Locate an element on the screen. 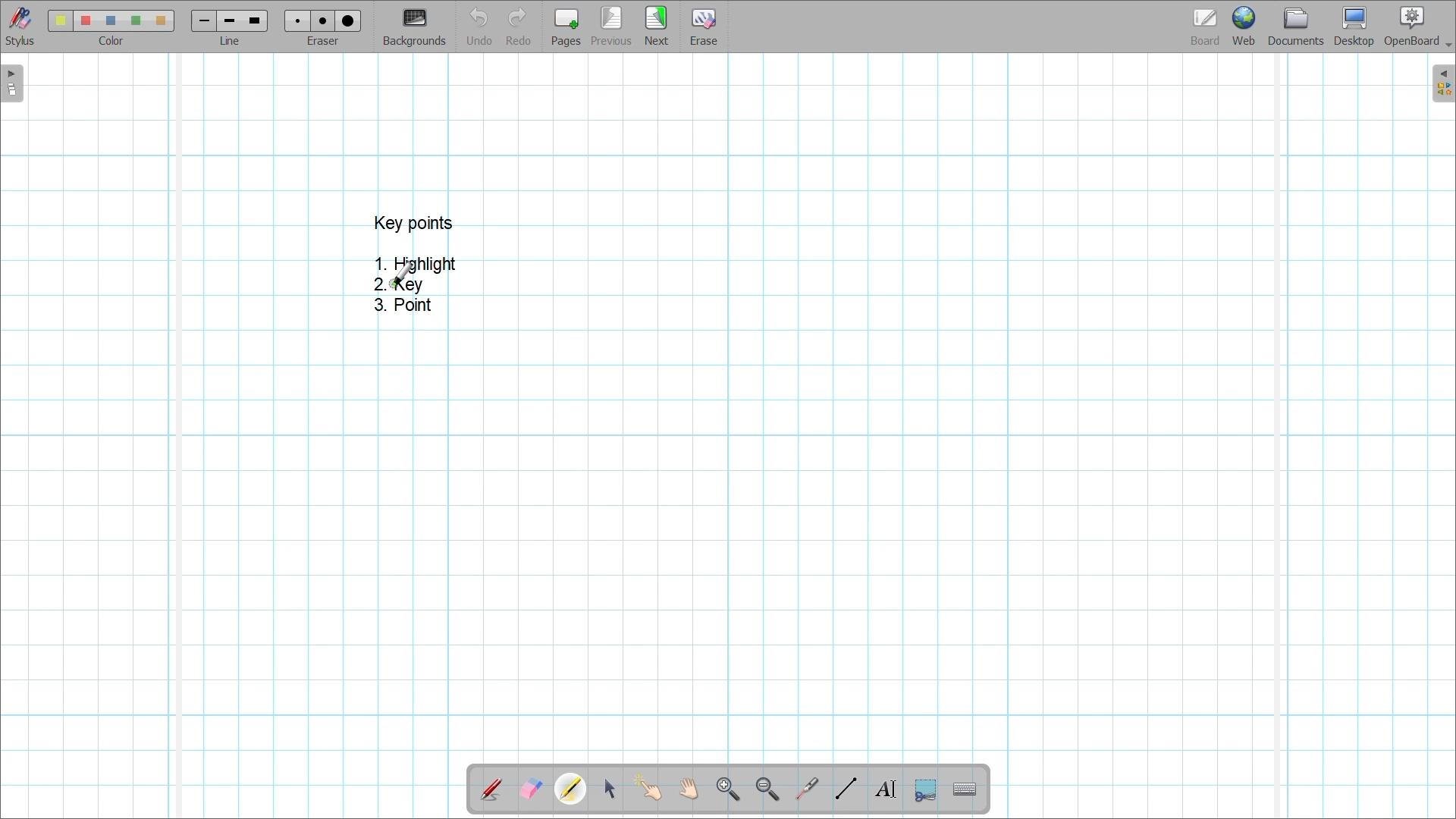 The height and width of the screenshot is (819, 1456). Board is located at coordinates (1206, 27).